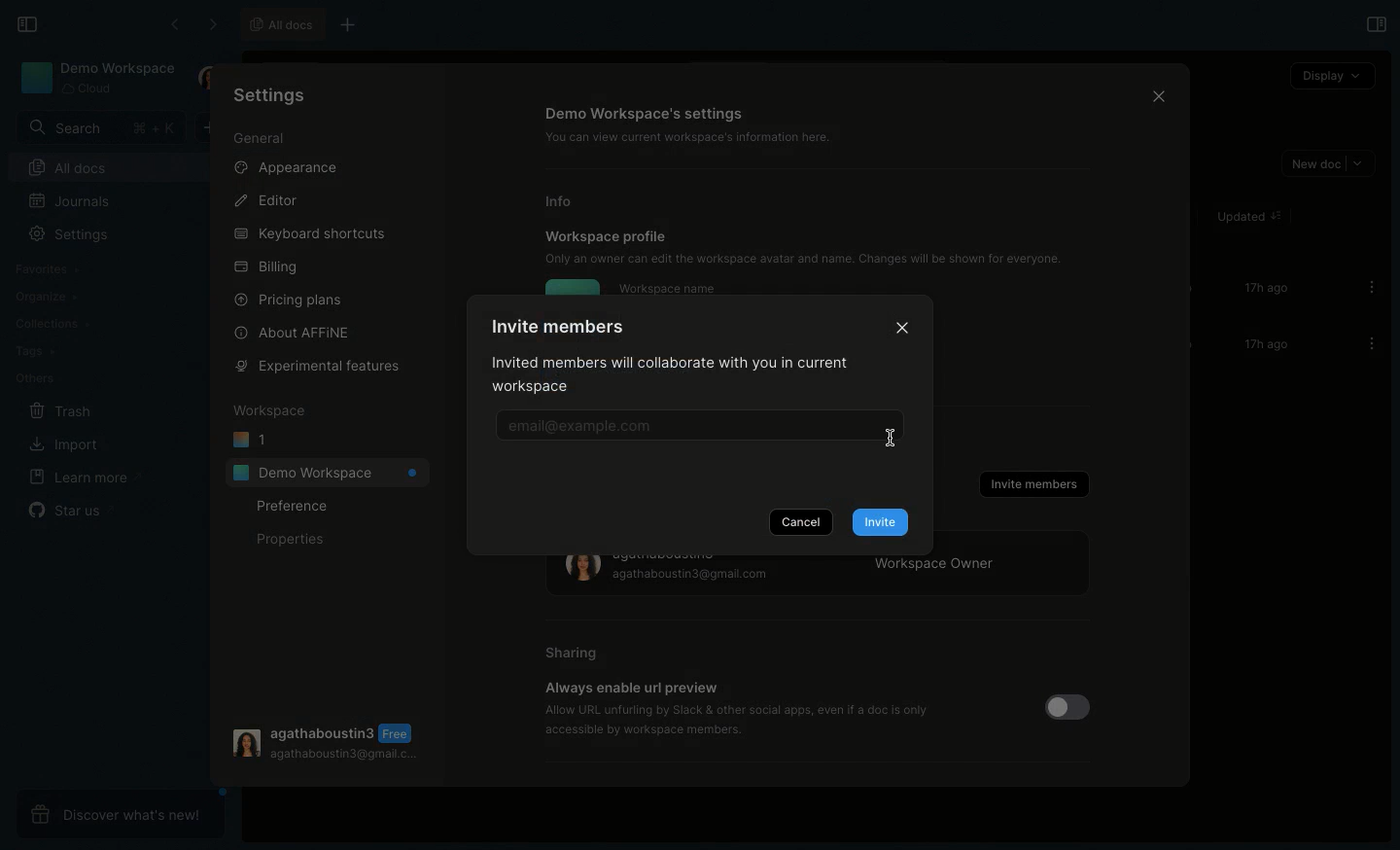 Image resolution: width=1400 pixels, height=850 pixels. What do you see at coordinates (558, 326) in the screenshot?
I see `Invite members` at bounding box center [558, 326].